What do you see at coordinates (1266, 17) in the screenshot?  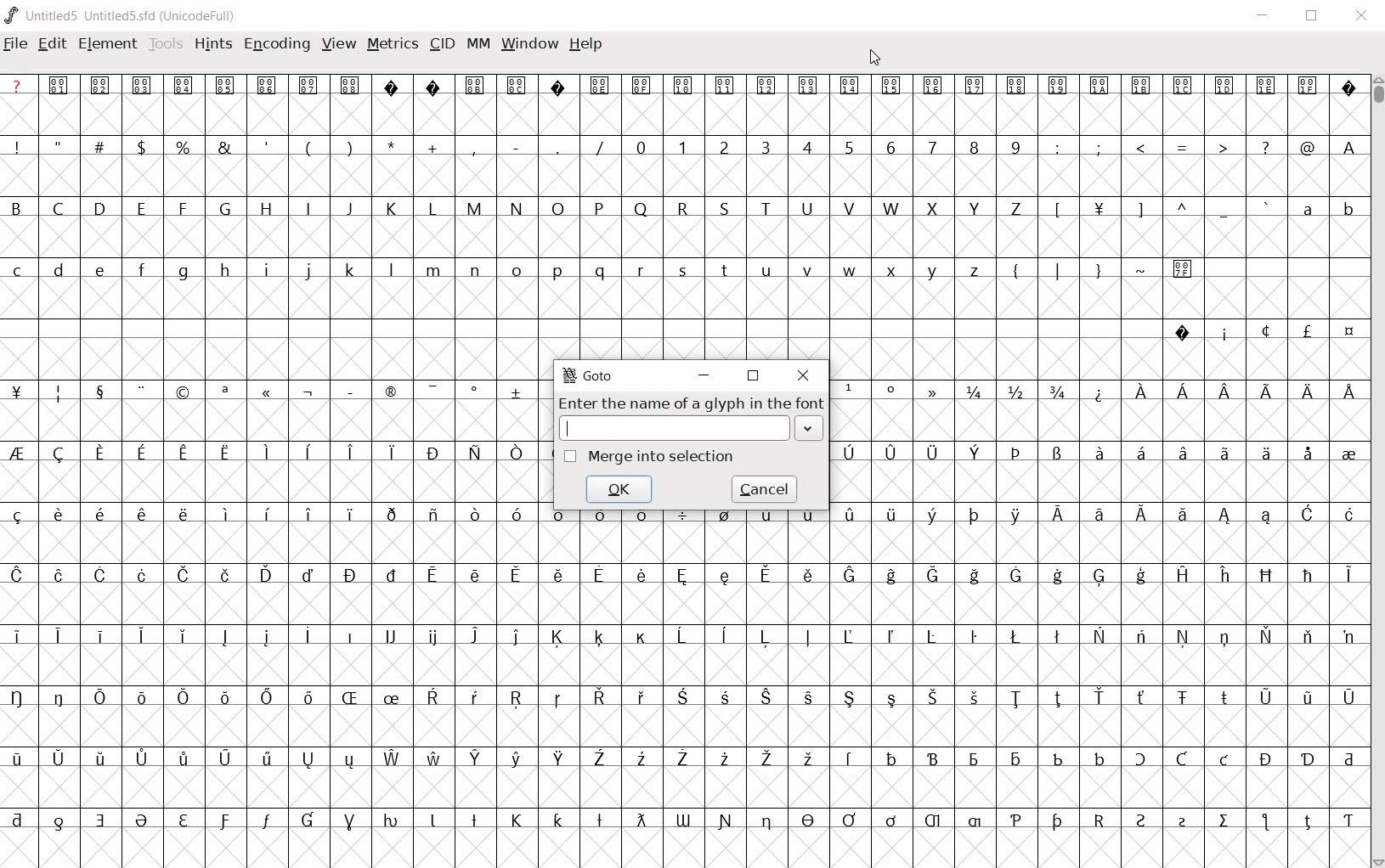 I see `minimize` at bounding box center [1266, 17].